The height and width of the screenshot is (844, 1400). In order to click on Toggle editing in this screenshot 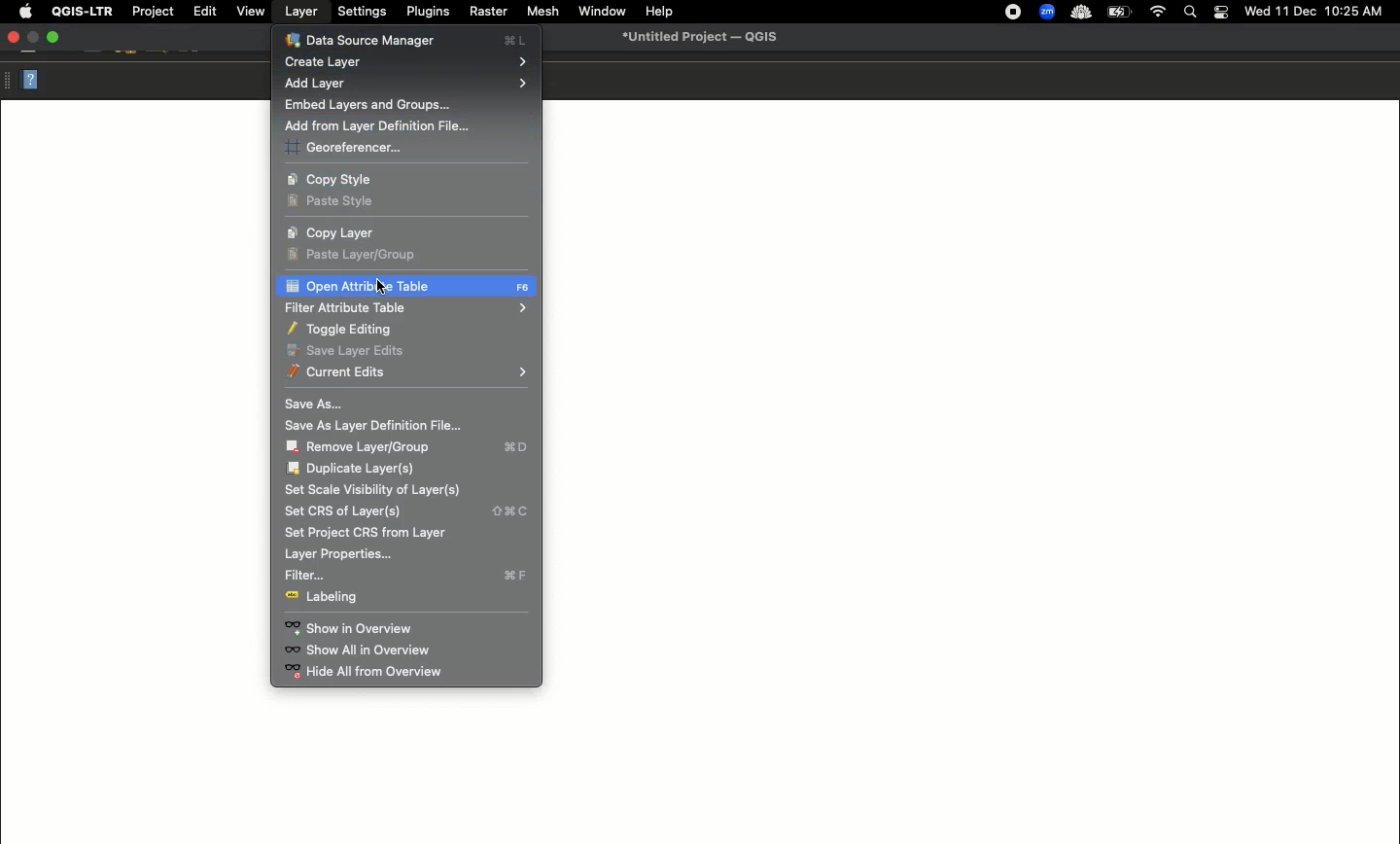, I will do `click(345, 330)`.